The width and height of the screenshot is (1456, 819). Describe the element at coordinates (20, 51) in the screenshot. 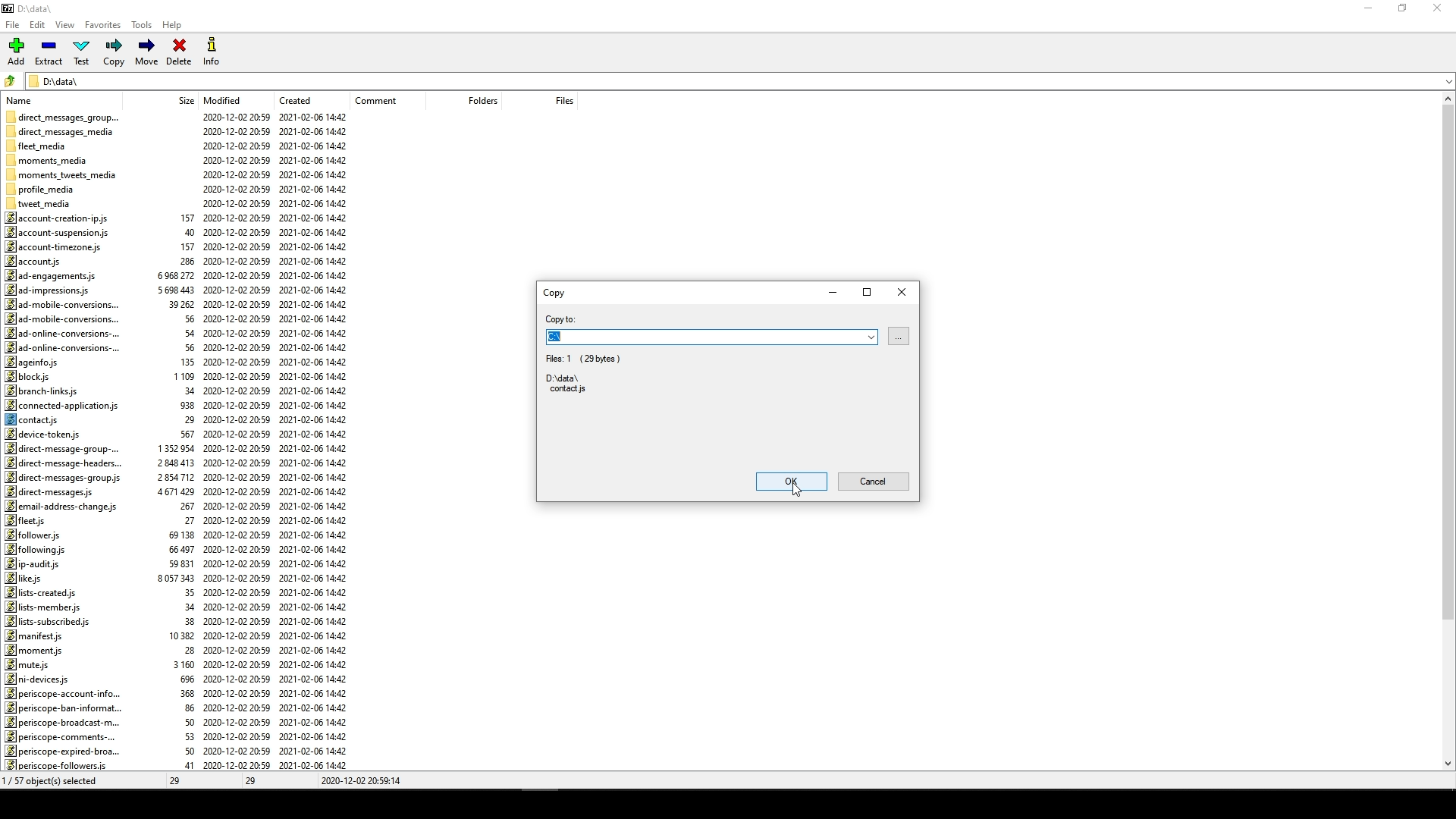

I see `Add` at that location.